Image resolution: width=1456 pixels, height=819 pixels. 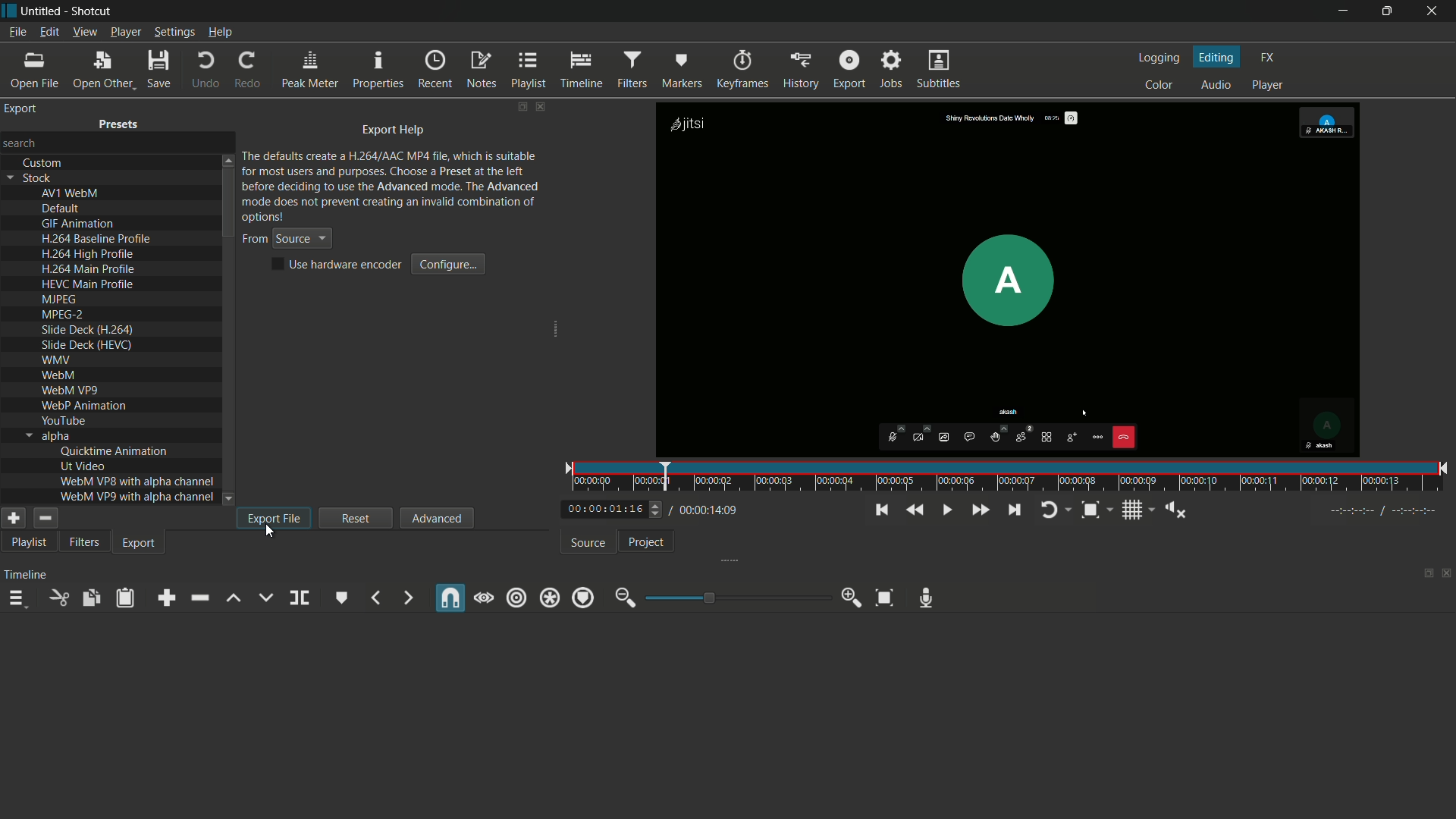 I want to click on cursor, so click(x=270, y=535).